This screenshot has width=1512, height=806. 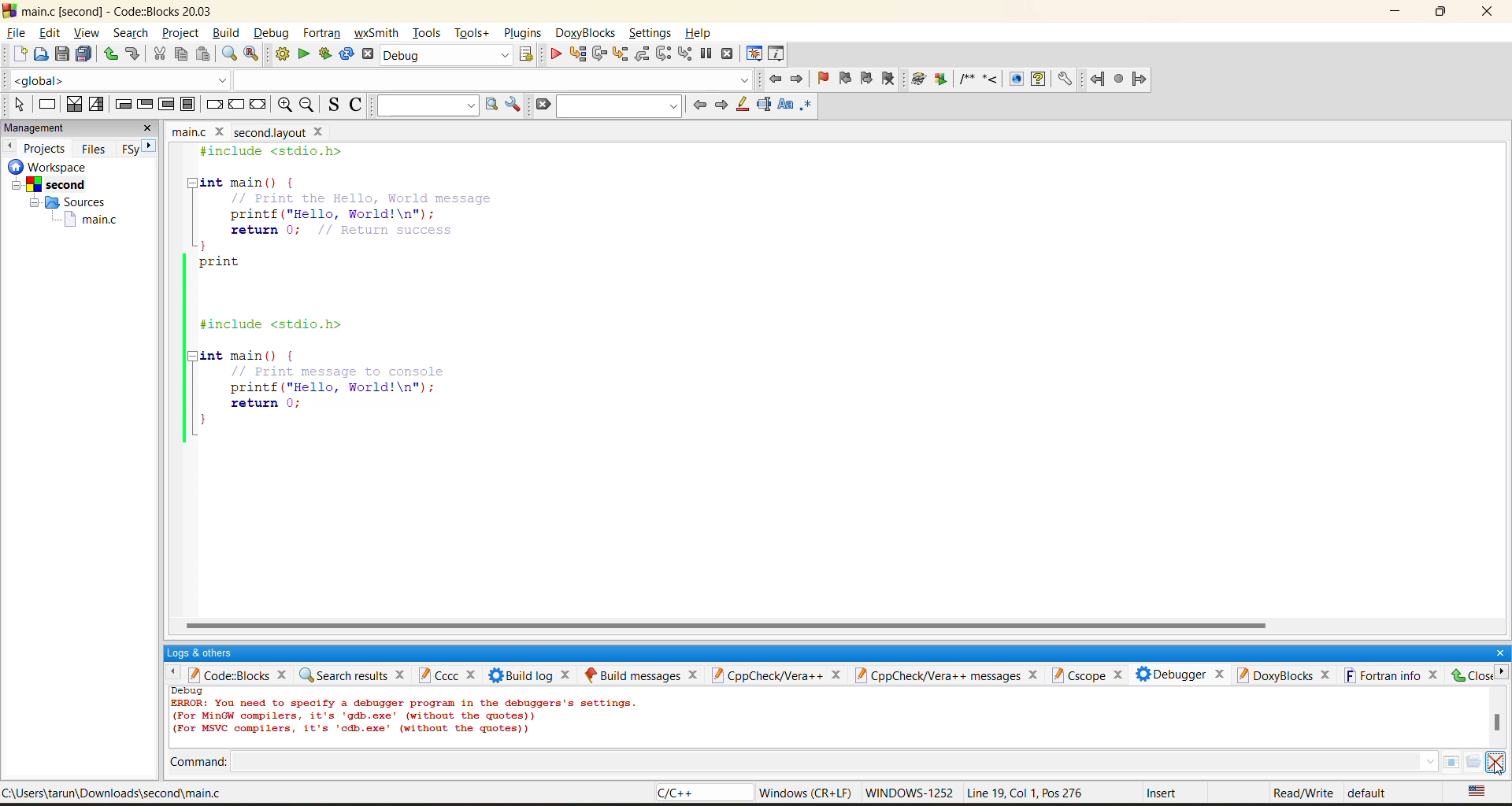 I want to click on build, so click(x=282, y=53).